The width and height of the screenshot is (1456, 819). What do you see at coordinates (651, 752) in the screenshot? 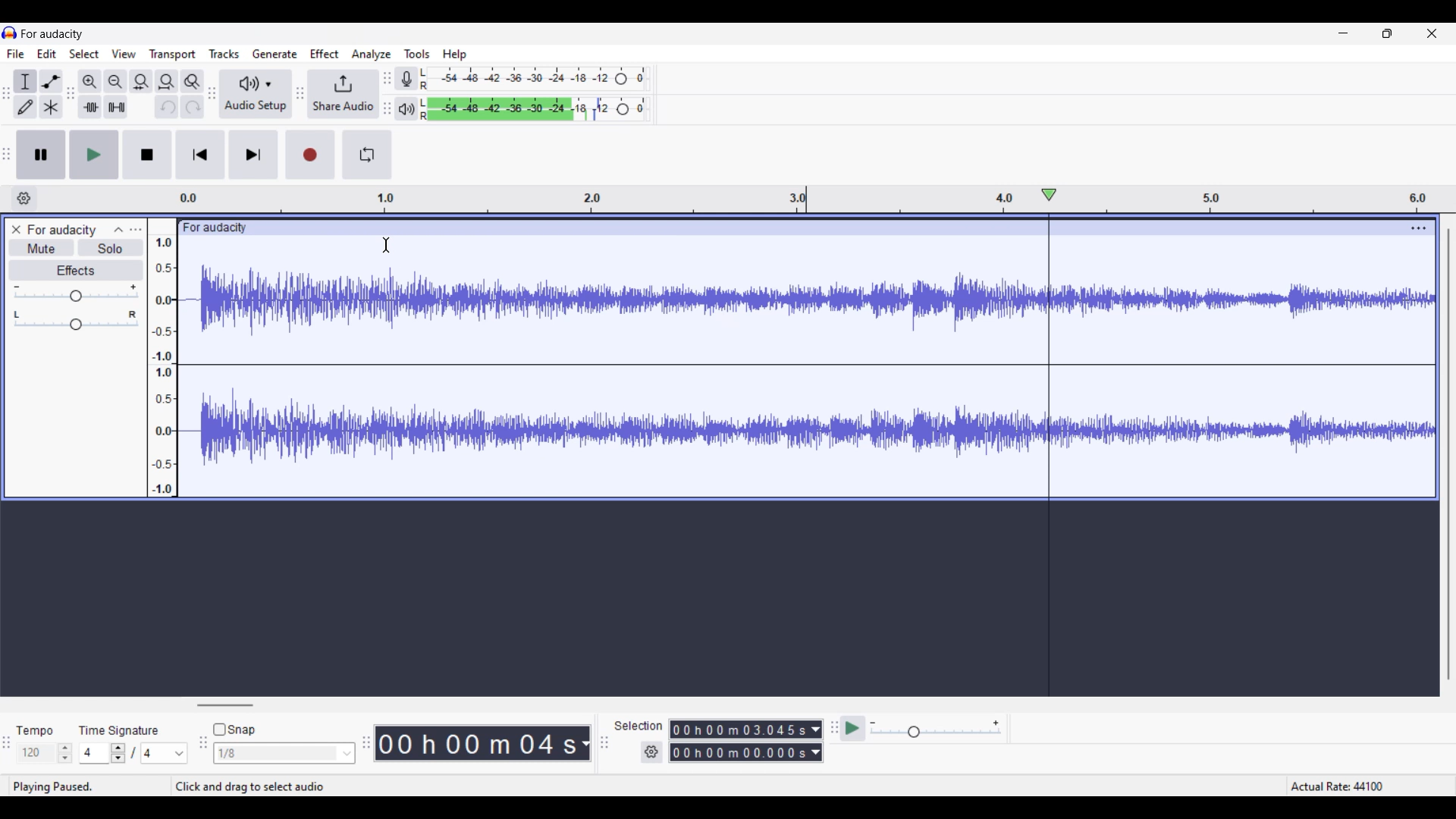
I see `Selection duration settings` at bounding box center [651, 752].